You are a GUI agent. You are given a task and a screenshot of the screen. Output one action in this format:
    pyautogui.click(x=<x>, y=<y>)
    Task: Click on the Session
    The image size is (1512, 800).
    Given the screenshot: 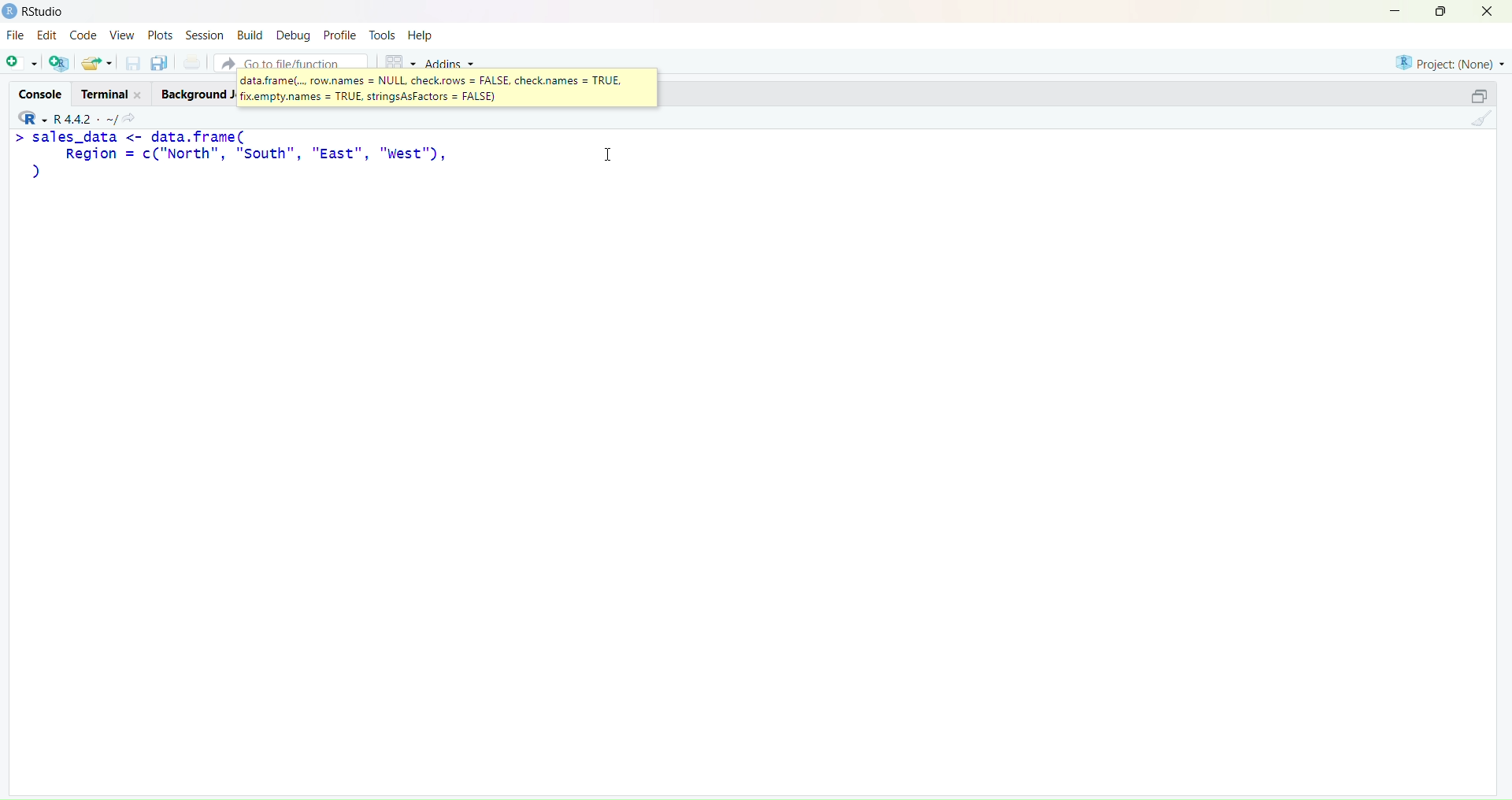 What is the action you would take?
    pyautogui.click(x=202, y=35)
    